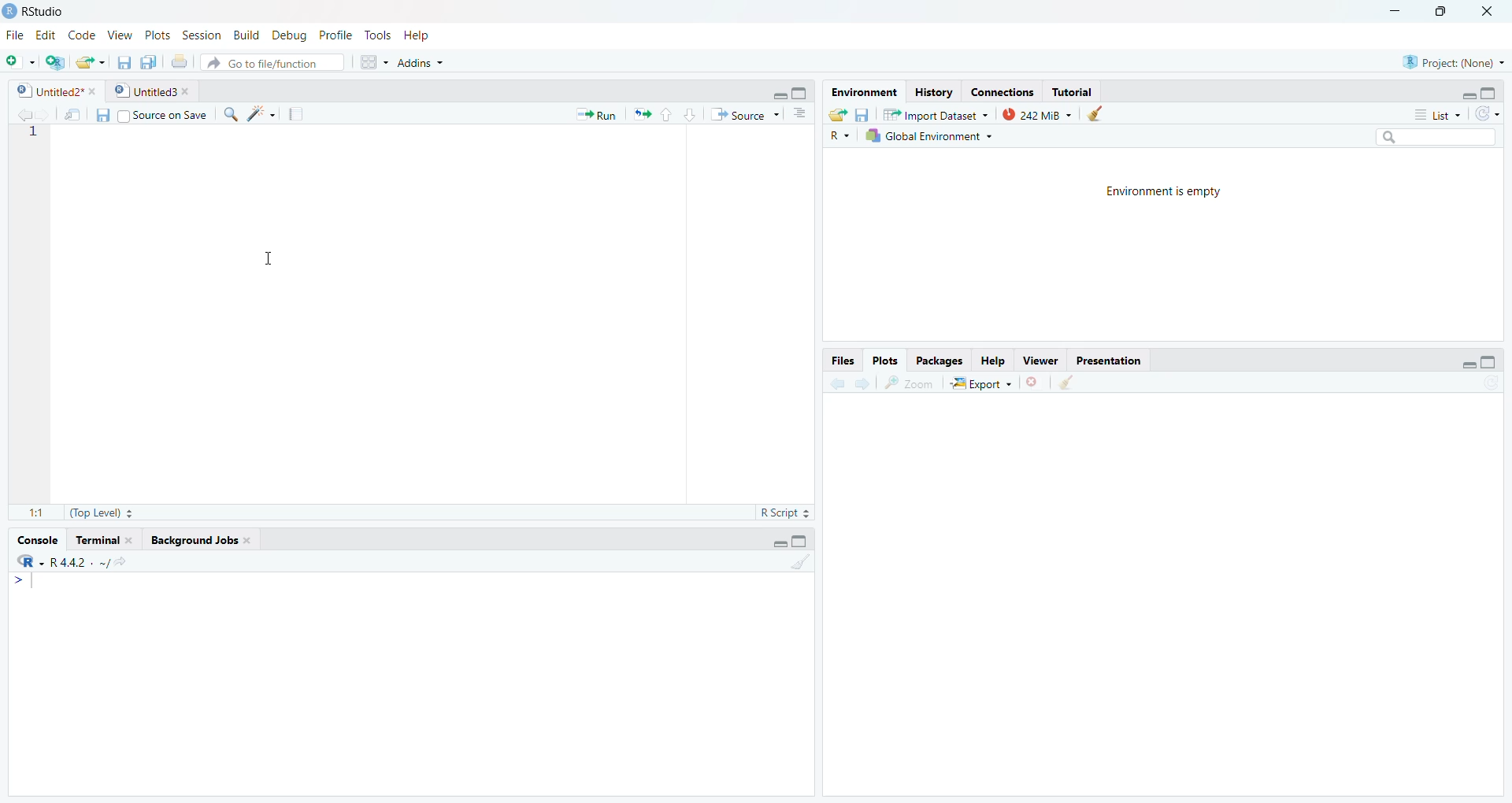 Image resolution: width=1512 pixels, height=803 pixels. I want to click on compile report, so click(295, 114).